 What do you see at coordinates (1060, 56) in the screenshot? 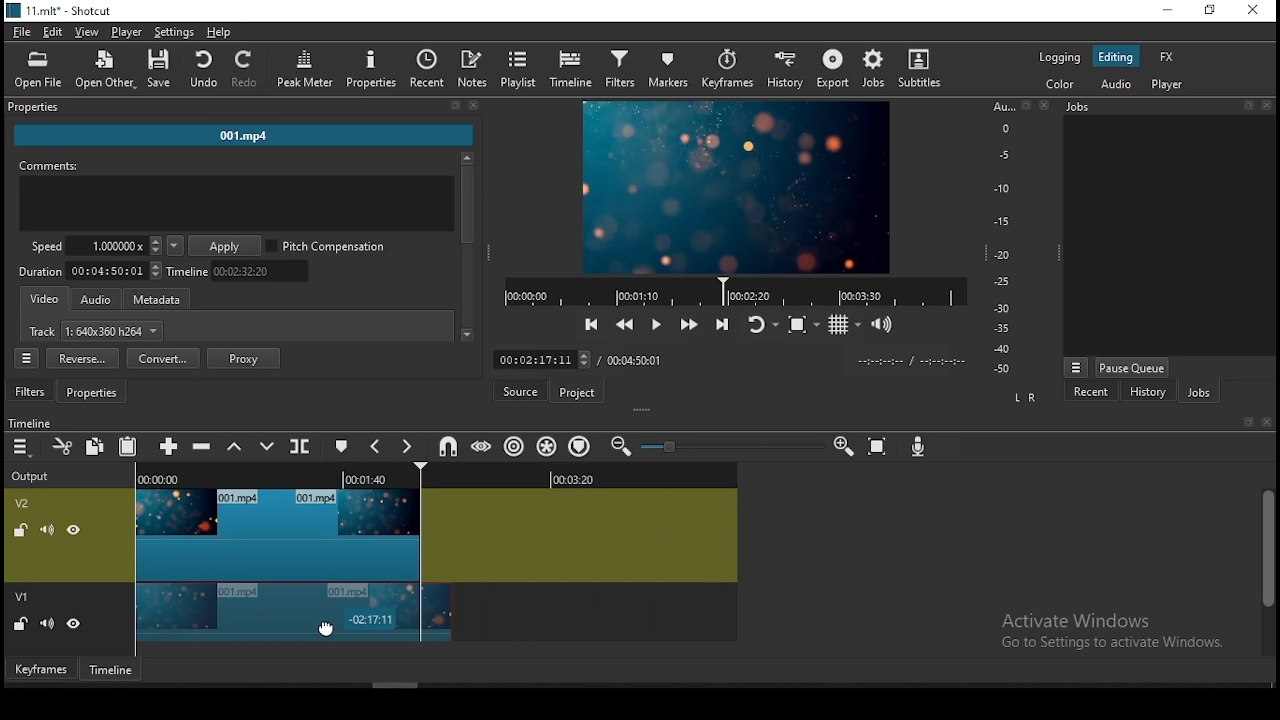
I see `logging` at bounding box center [1060, 56].